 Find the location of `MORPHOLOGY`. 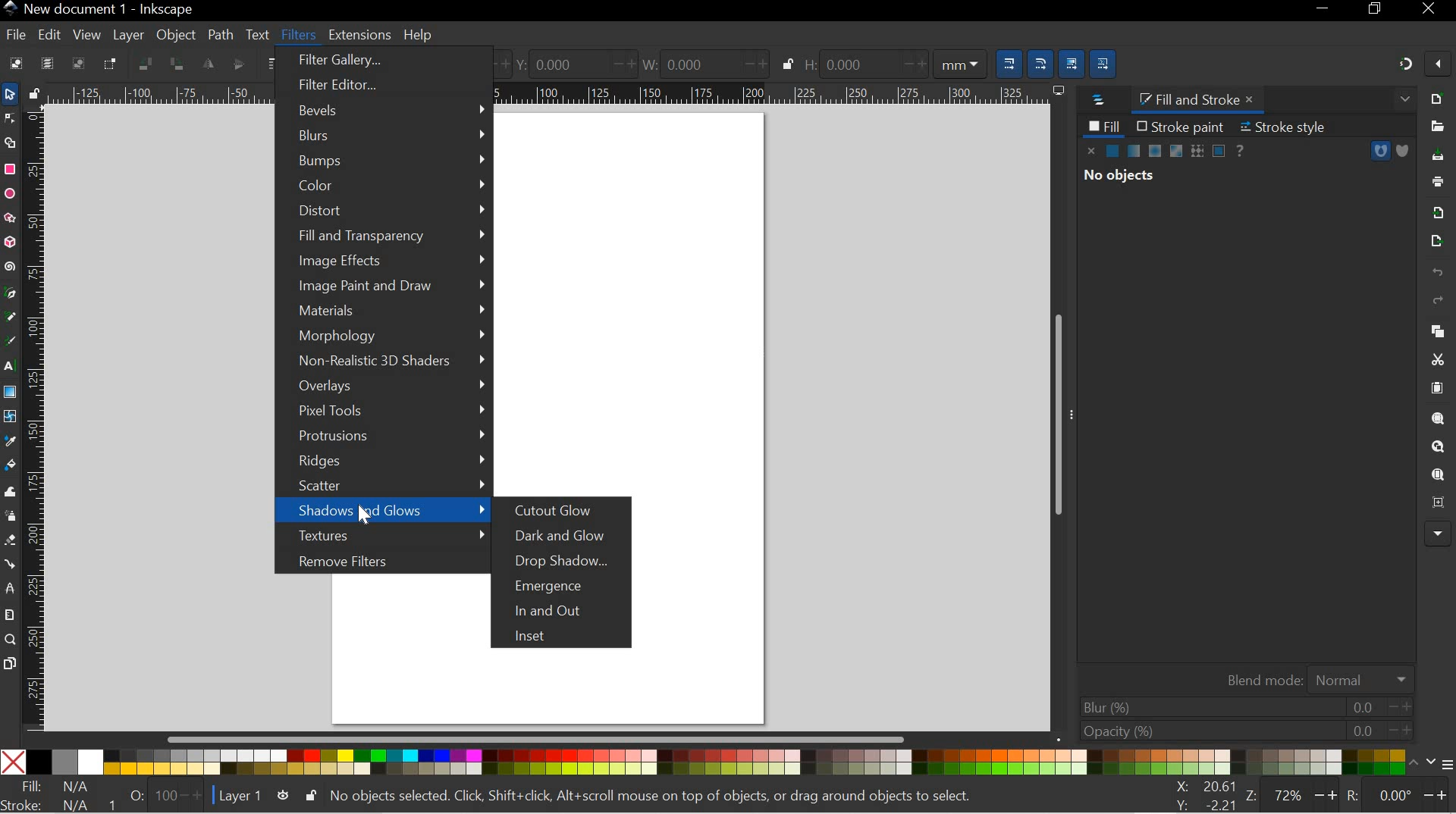

MORPHOLOGY is located at coordinates (383, 337).